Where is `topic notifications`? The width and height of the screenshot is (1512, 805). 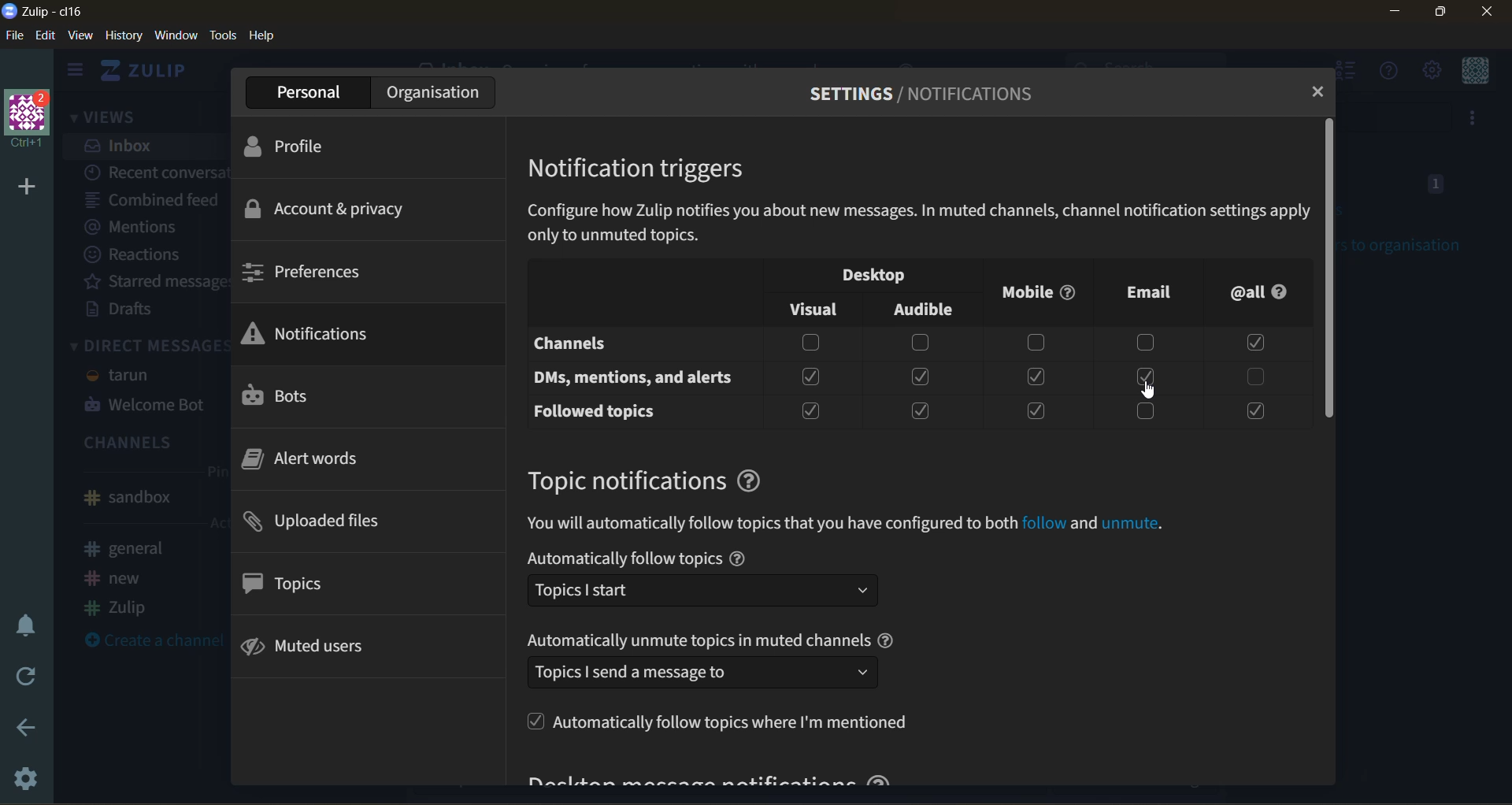 topic notifications is located at coordinates (661, 477).